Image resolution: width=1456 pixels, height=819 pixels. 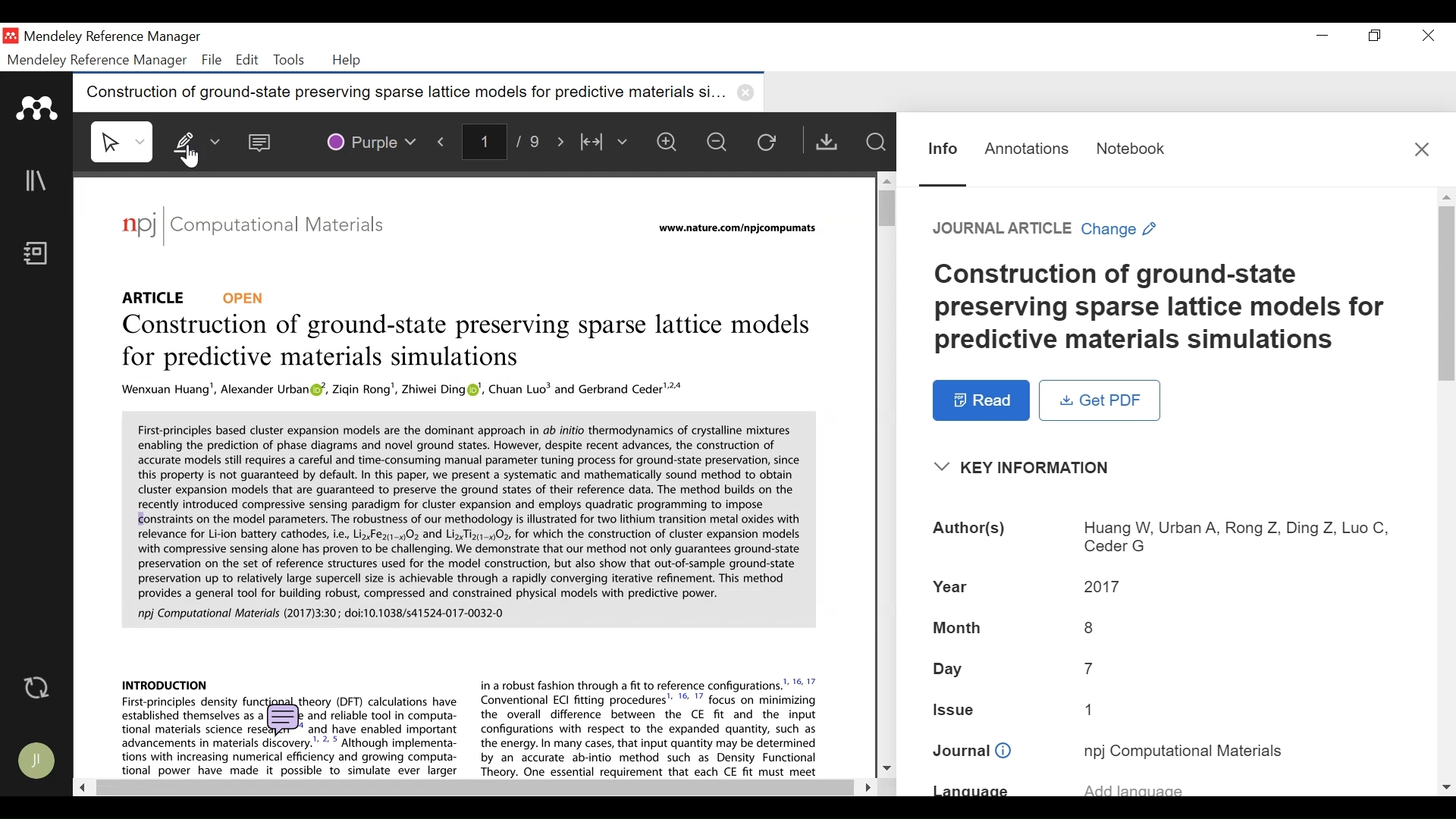 What do you see at coordinates (882, 207) in the screenshot?
I see `Vertical Scroll bar` at bounding box center [882, 207].